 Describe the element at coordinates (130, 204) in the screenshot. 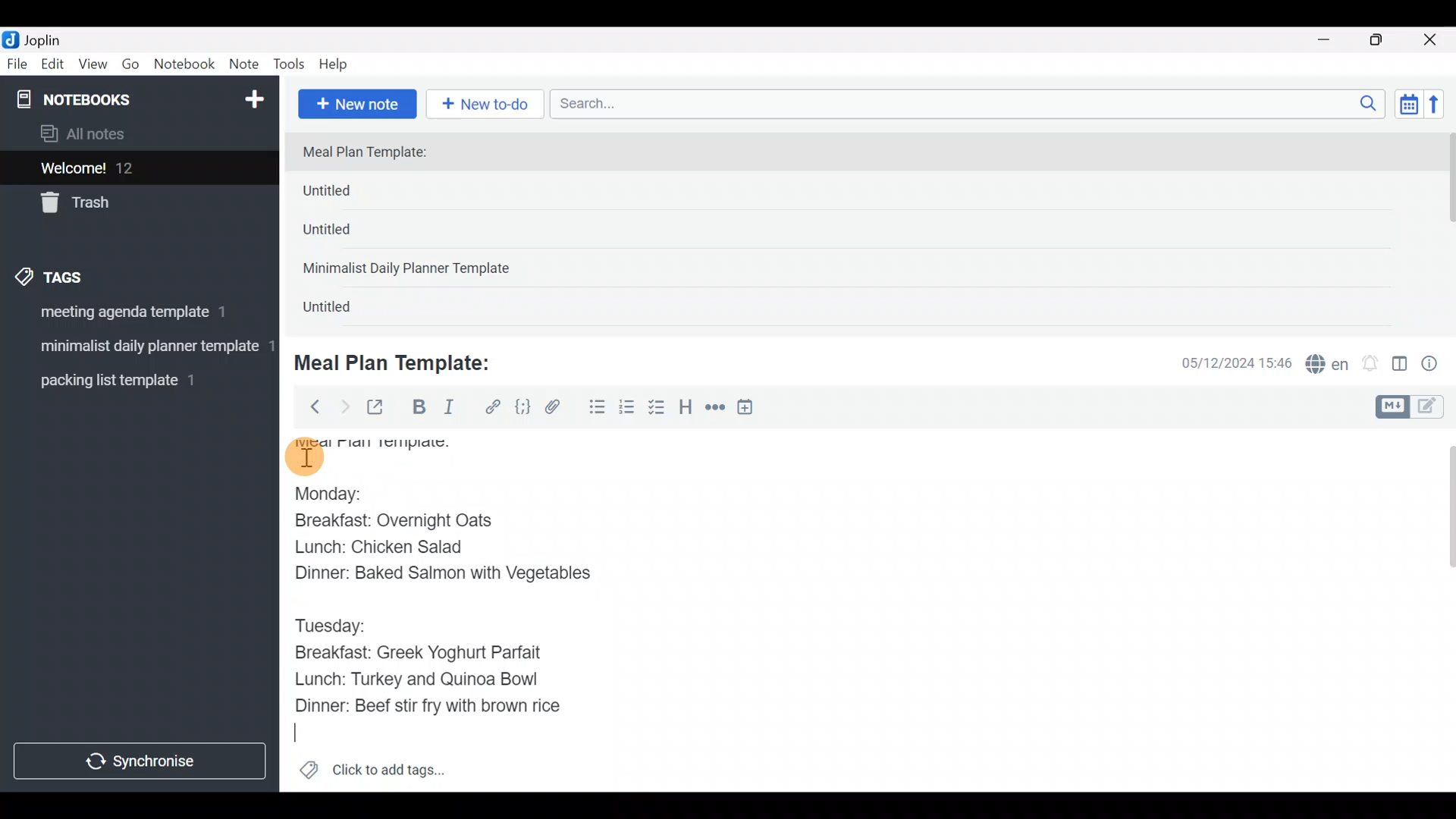

I see `Trash` at that location.